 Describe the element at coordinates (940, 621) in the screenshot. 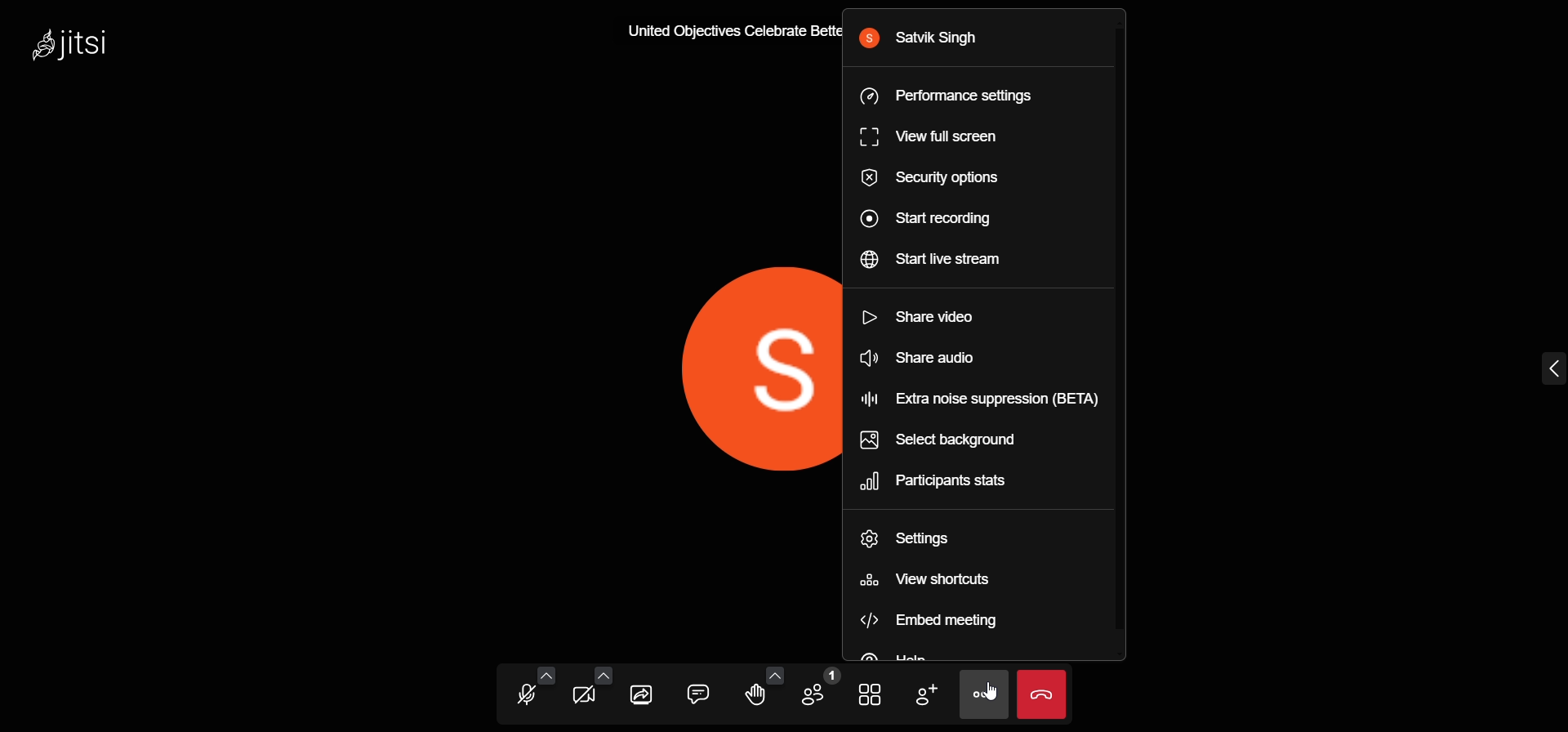

I see `embed meeting` at that location.